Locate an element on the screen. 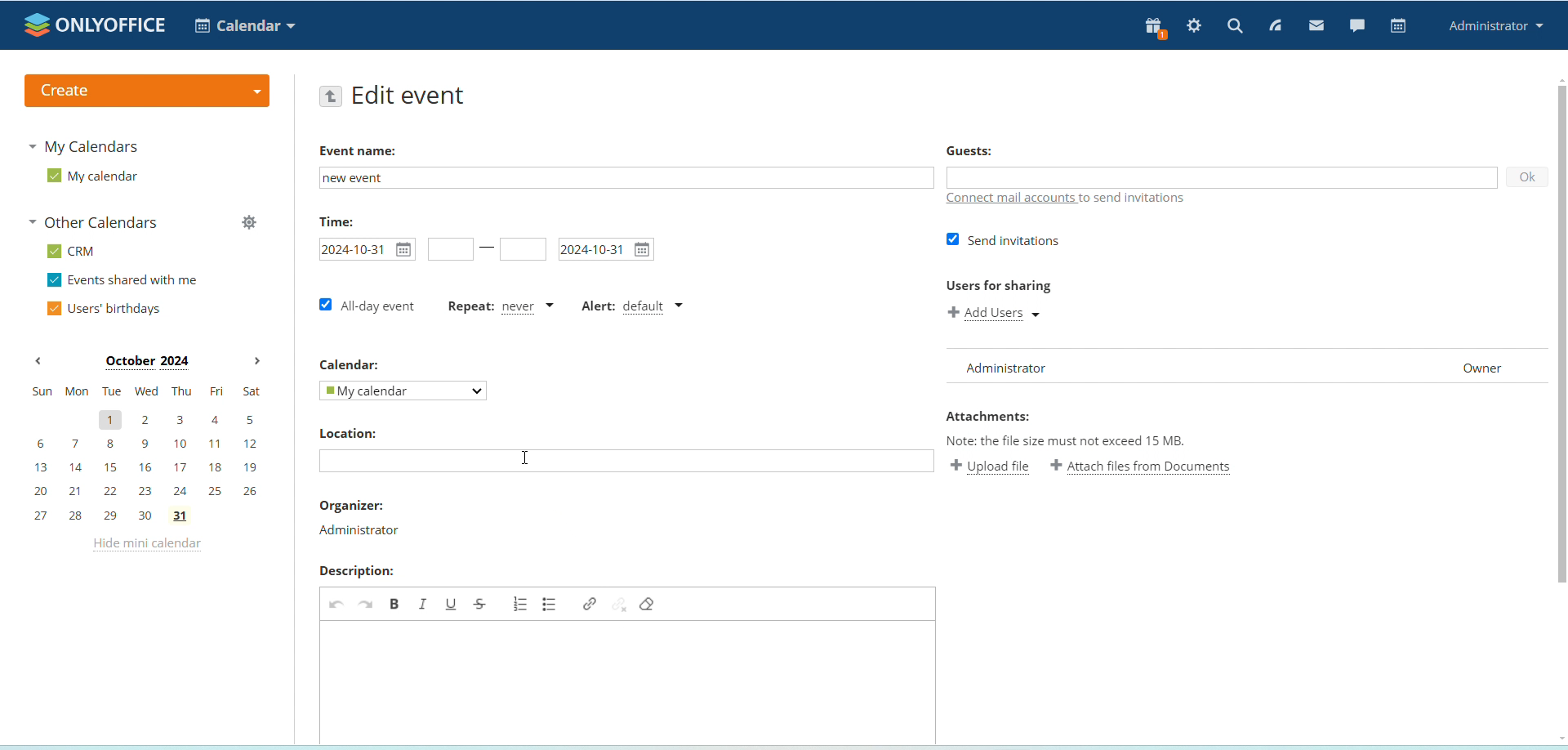 The image size is (1568, 750). add location is located at coordinates (626, 462).